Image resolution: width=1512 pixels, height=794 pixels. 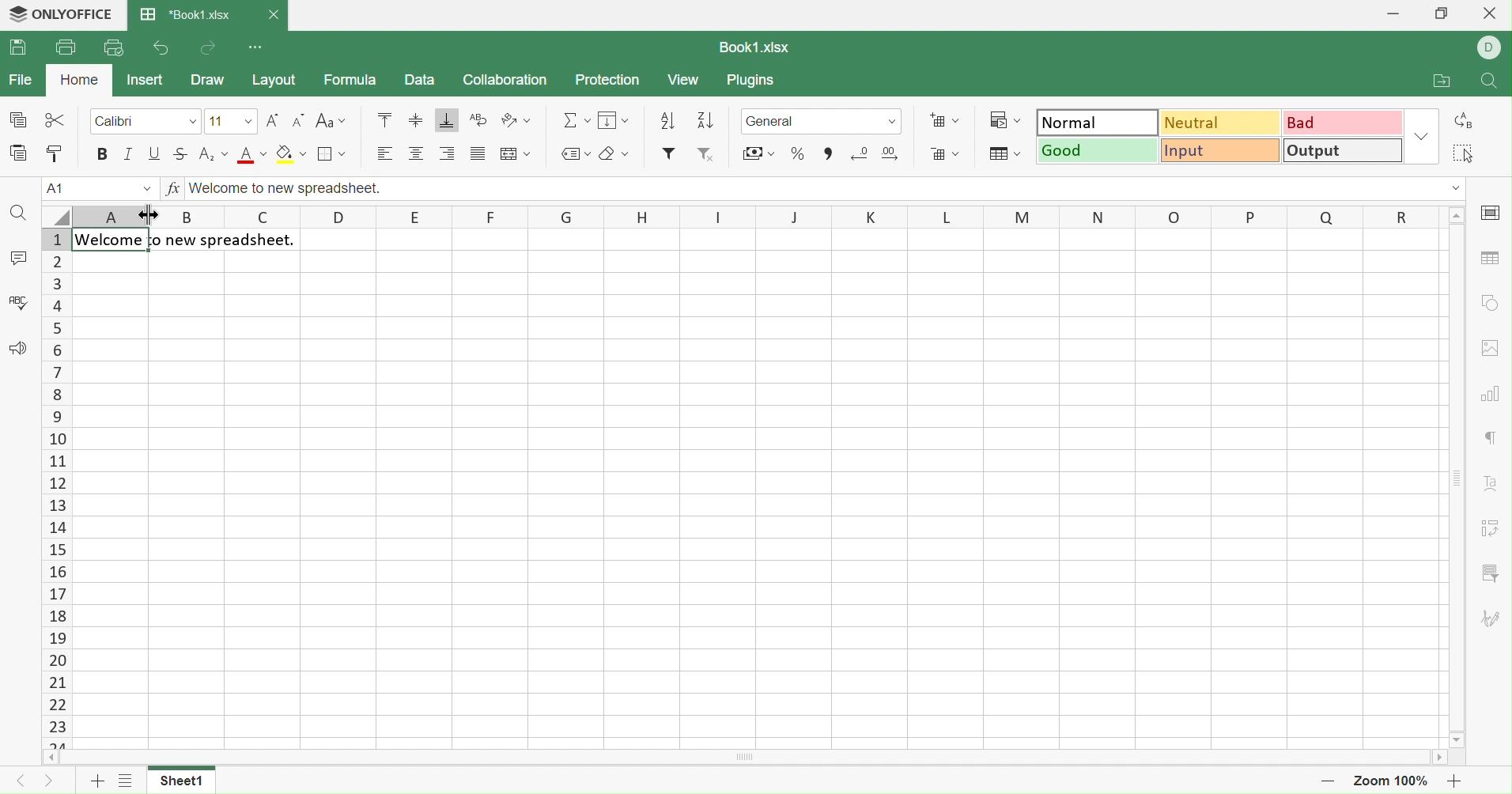 What do you see at coordinates (214, 153) in the screenshot?
I see `Superscript/Subscript` at bounding box center [214, 153].